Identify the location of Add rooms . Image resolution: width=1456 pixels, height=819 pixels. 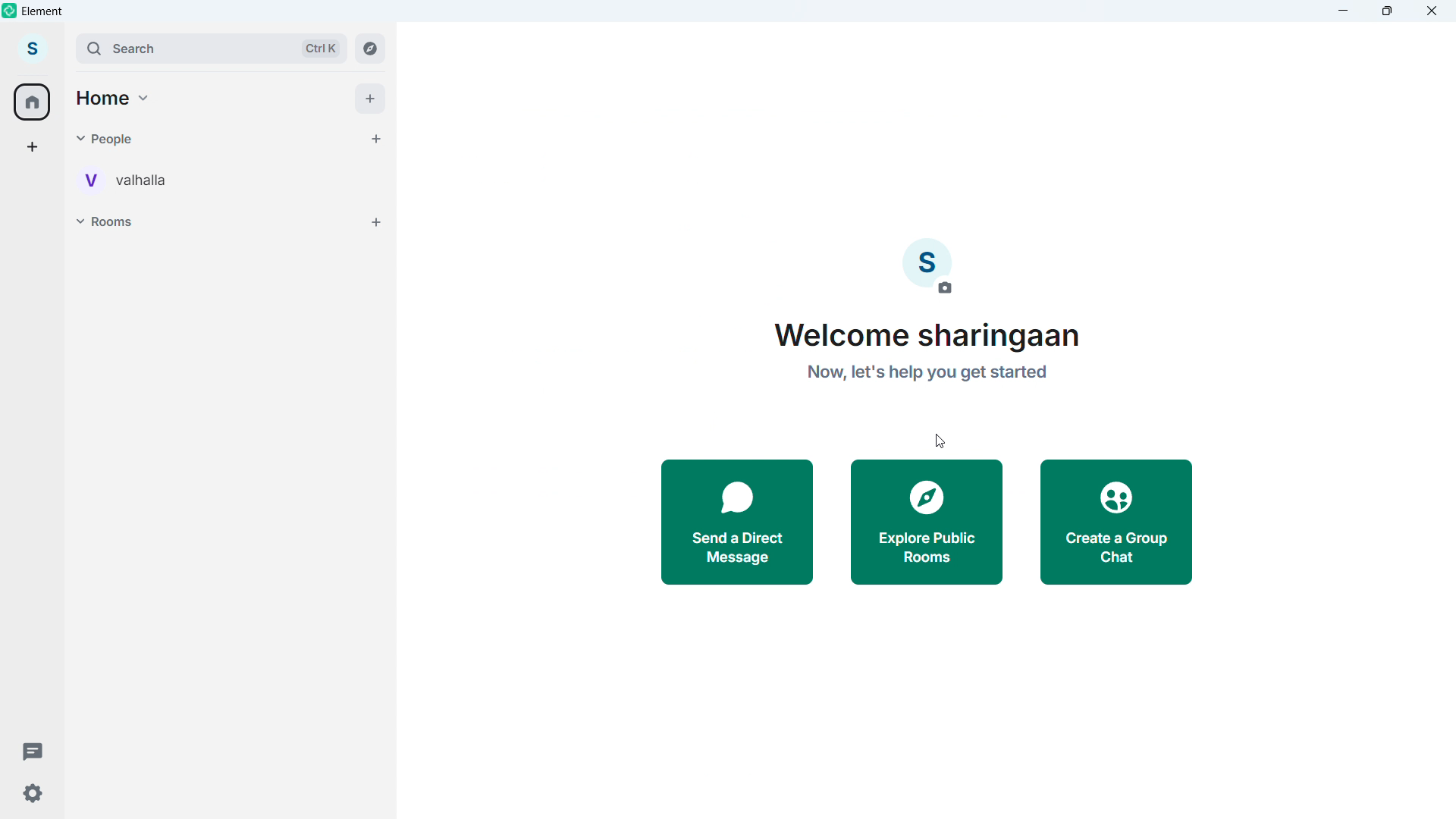
(378, 222).